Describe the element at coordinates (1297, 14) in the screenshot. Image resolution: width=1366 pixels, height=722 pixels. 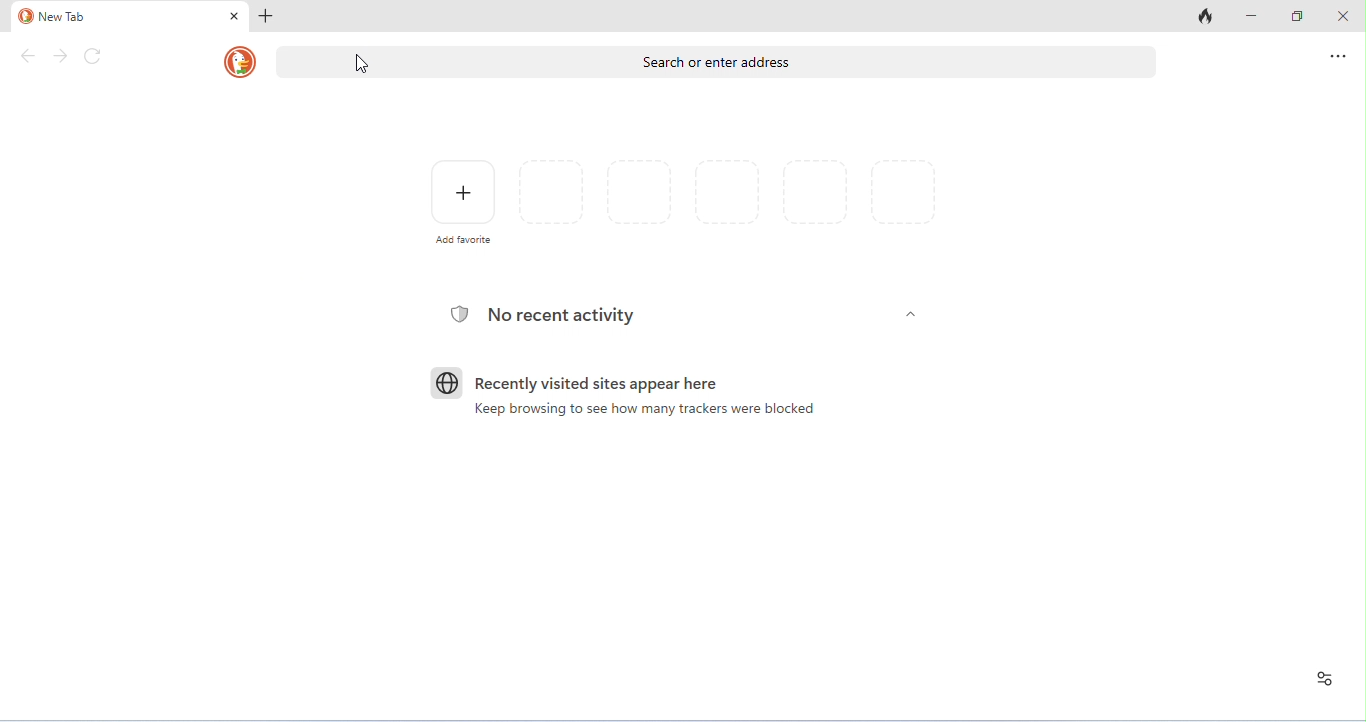
I see `maximize` at that location.